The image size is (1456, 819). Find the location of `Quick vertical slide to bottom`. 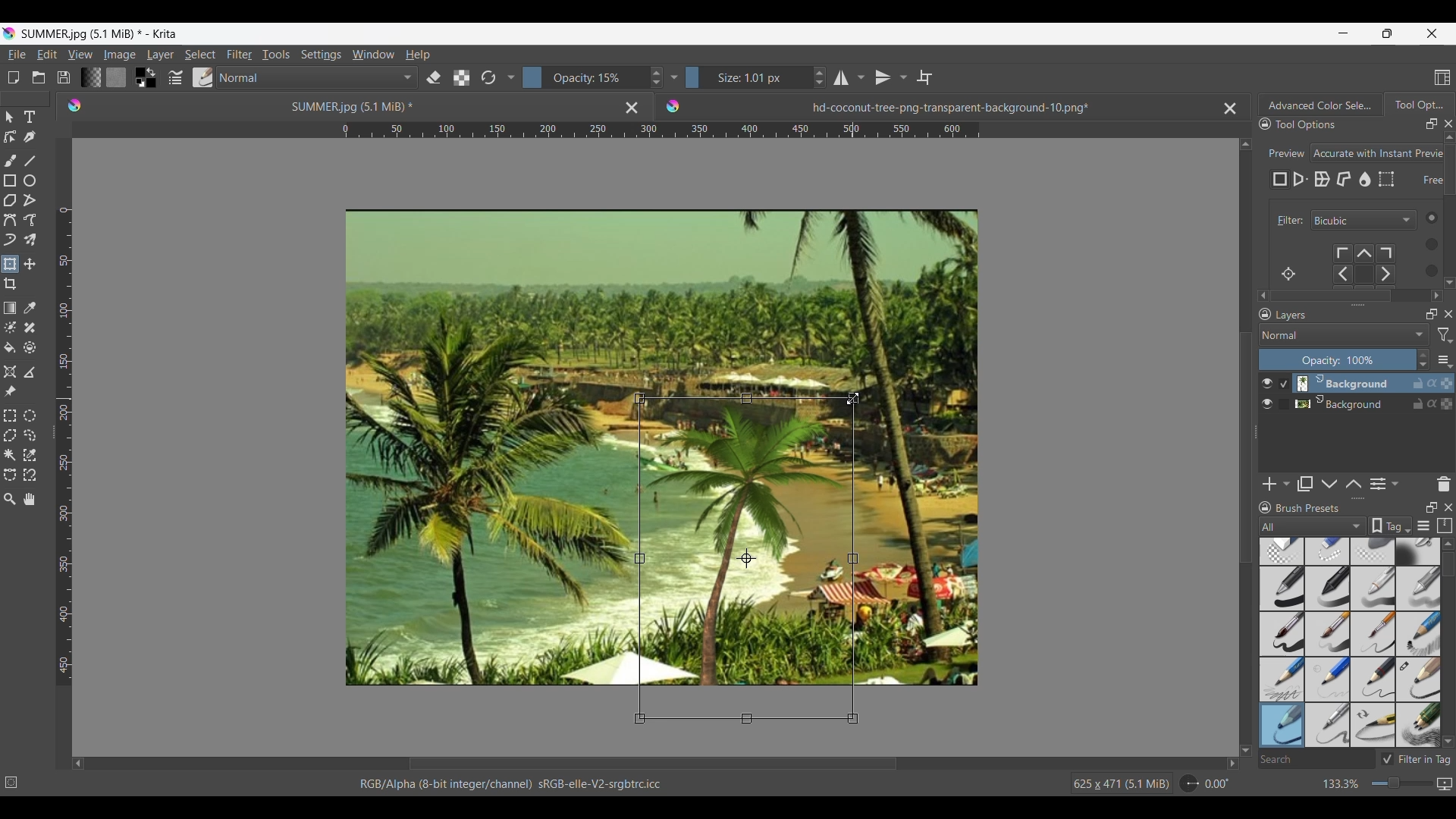

Quick vertical slide to bottom is located at coordinates (1449, 296).